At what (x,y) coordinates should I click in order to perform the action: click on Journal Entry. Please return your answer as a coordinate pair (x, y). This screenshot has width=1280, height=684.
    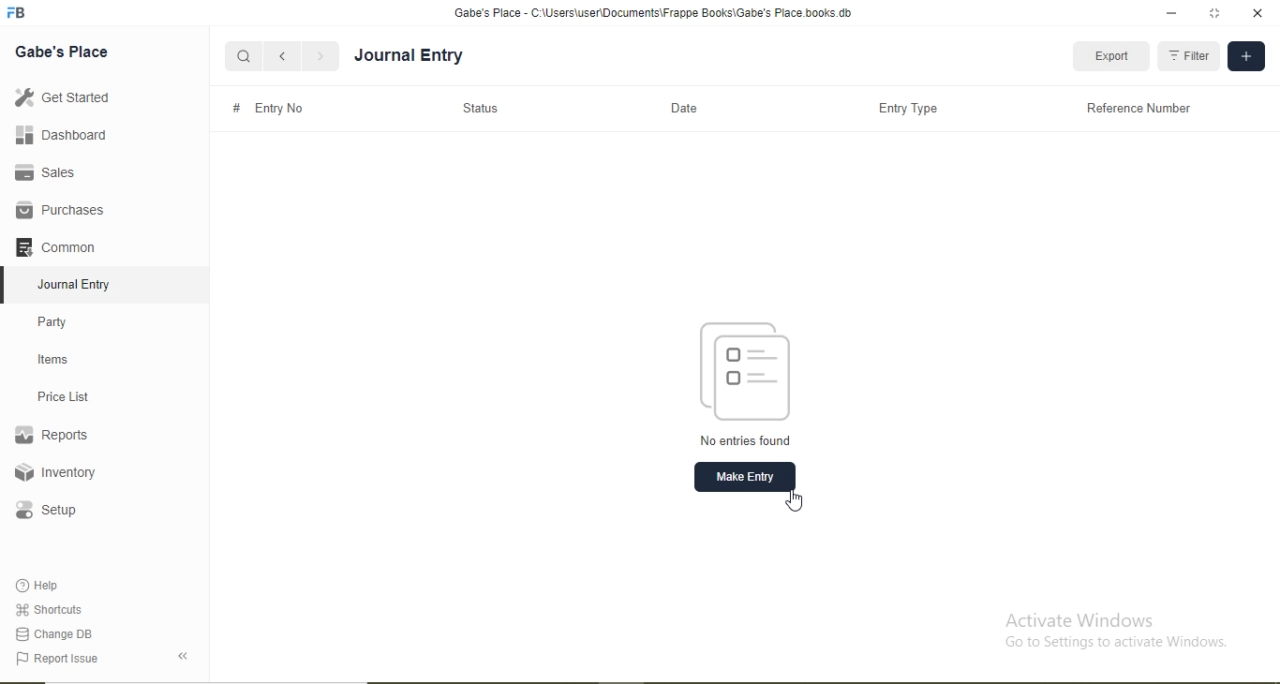
    Looking at the image, I should click on (411, 56).